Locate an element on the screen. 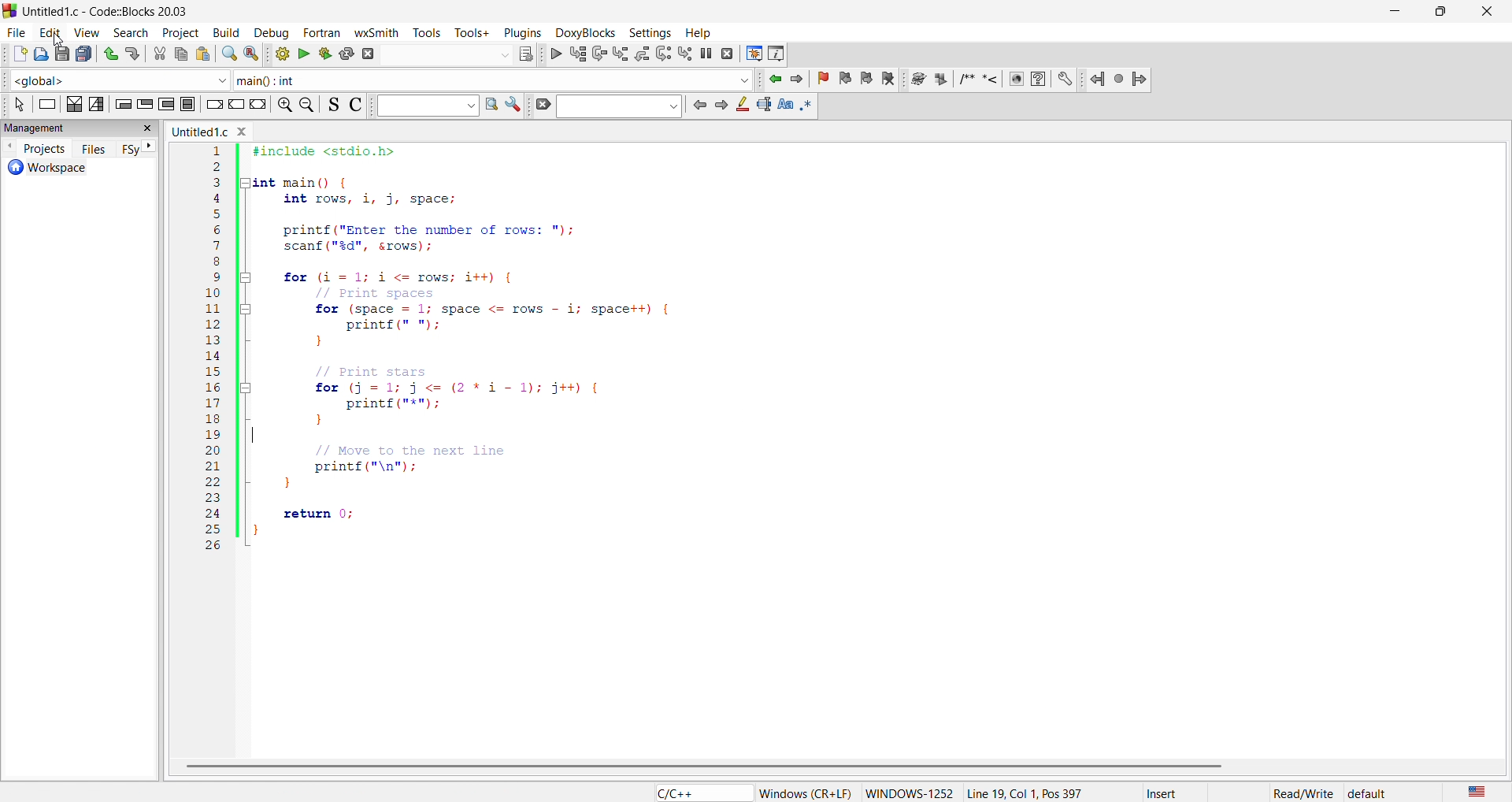 The height and width of the screenshot is (802, 1512). insert line is located at coordinates (991, 80).